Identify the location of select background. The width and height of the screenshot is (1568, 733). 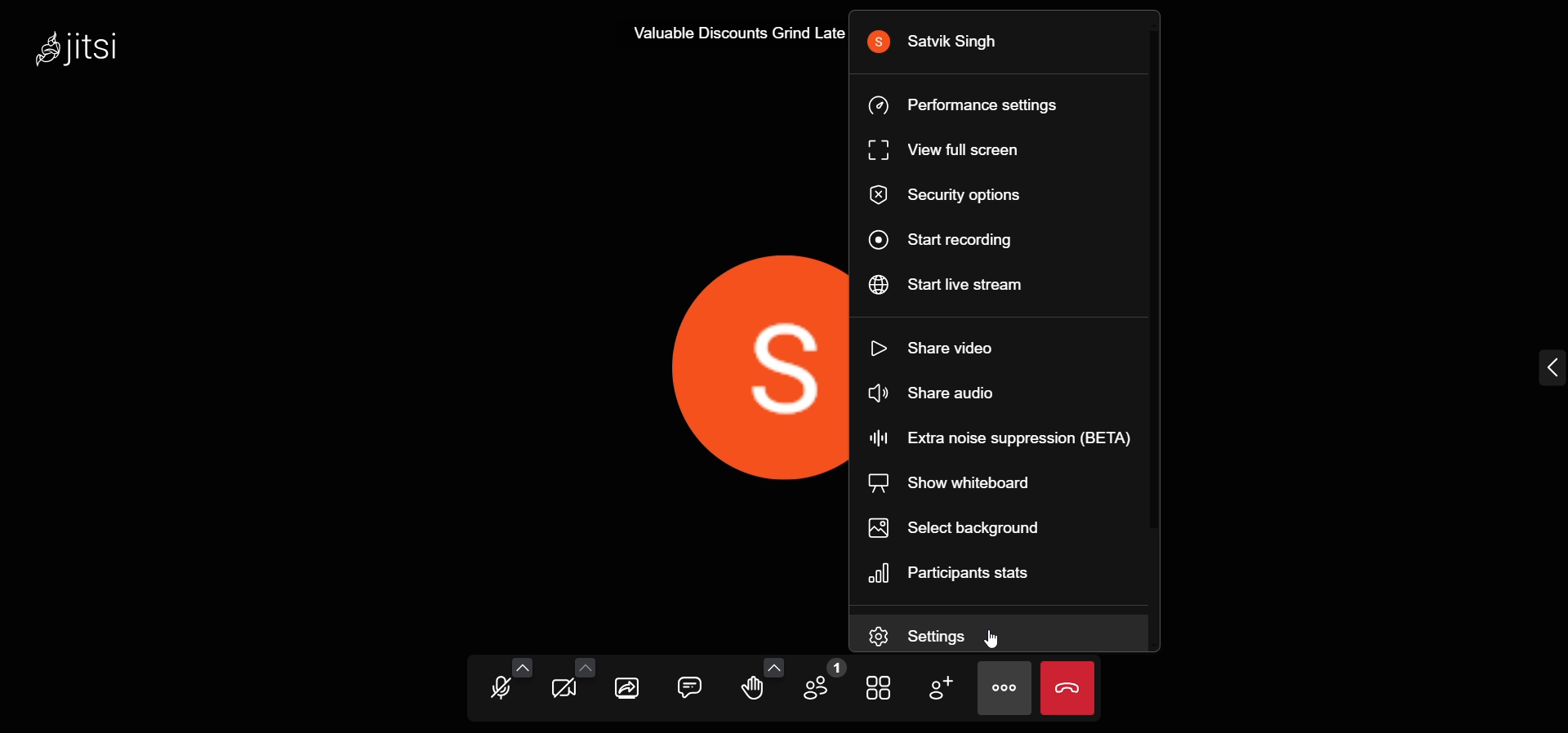
(964, 530).